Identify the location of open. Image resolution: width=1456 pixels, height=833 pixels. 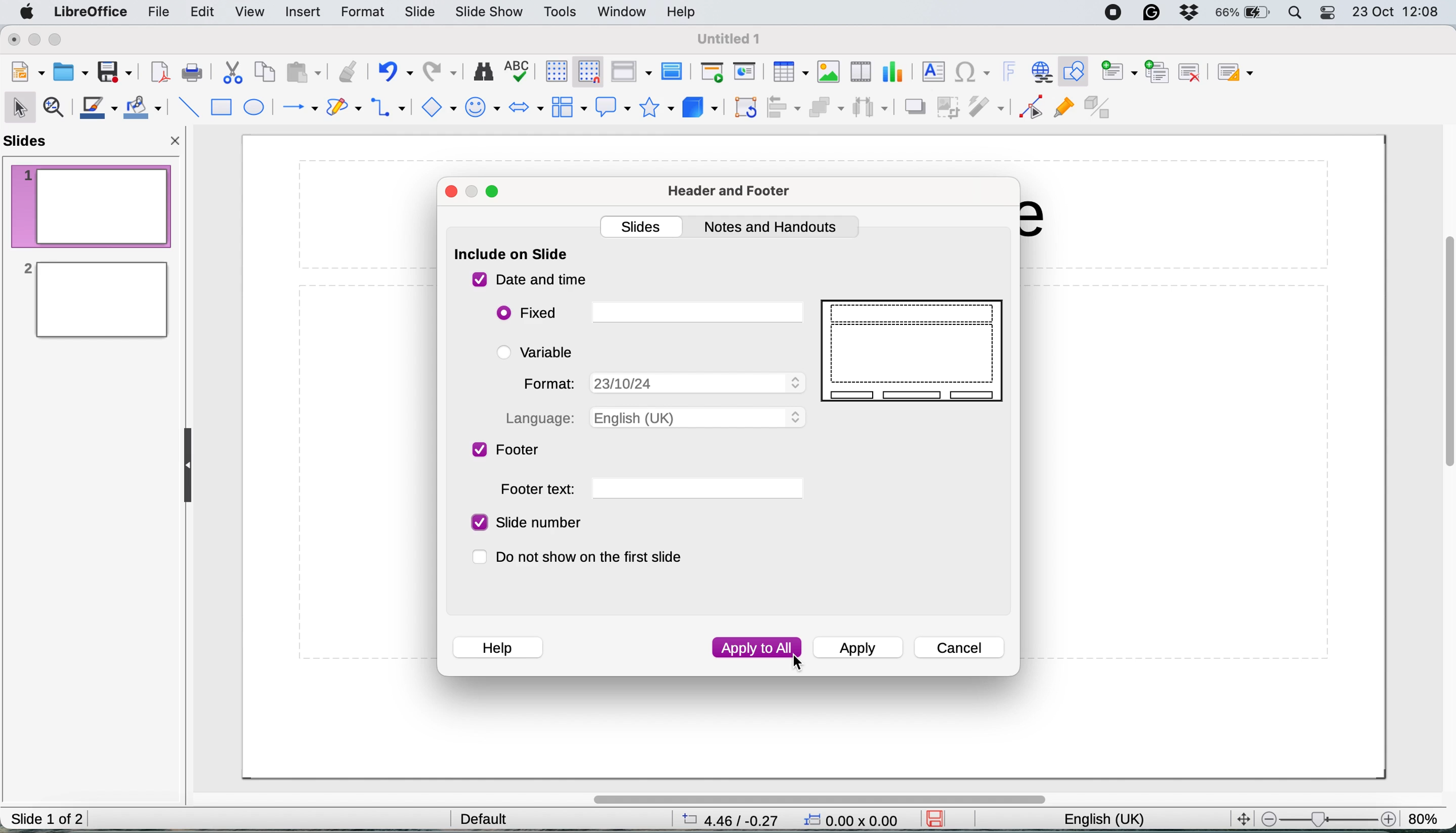
(71, 70).